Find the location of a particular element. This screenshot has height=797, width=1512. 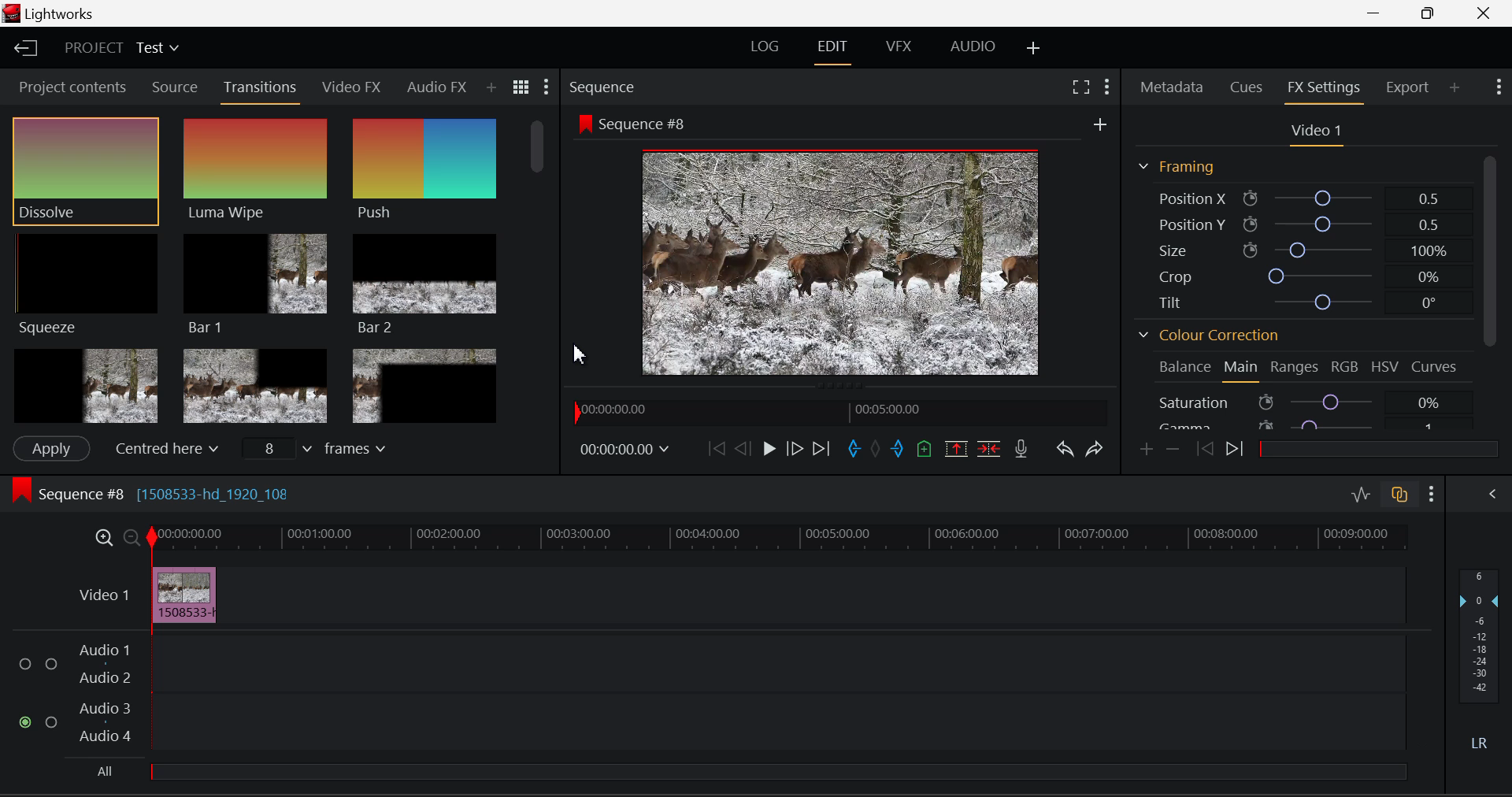

Timeline Track is located at coordinates (778, 539).